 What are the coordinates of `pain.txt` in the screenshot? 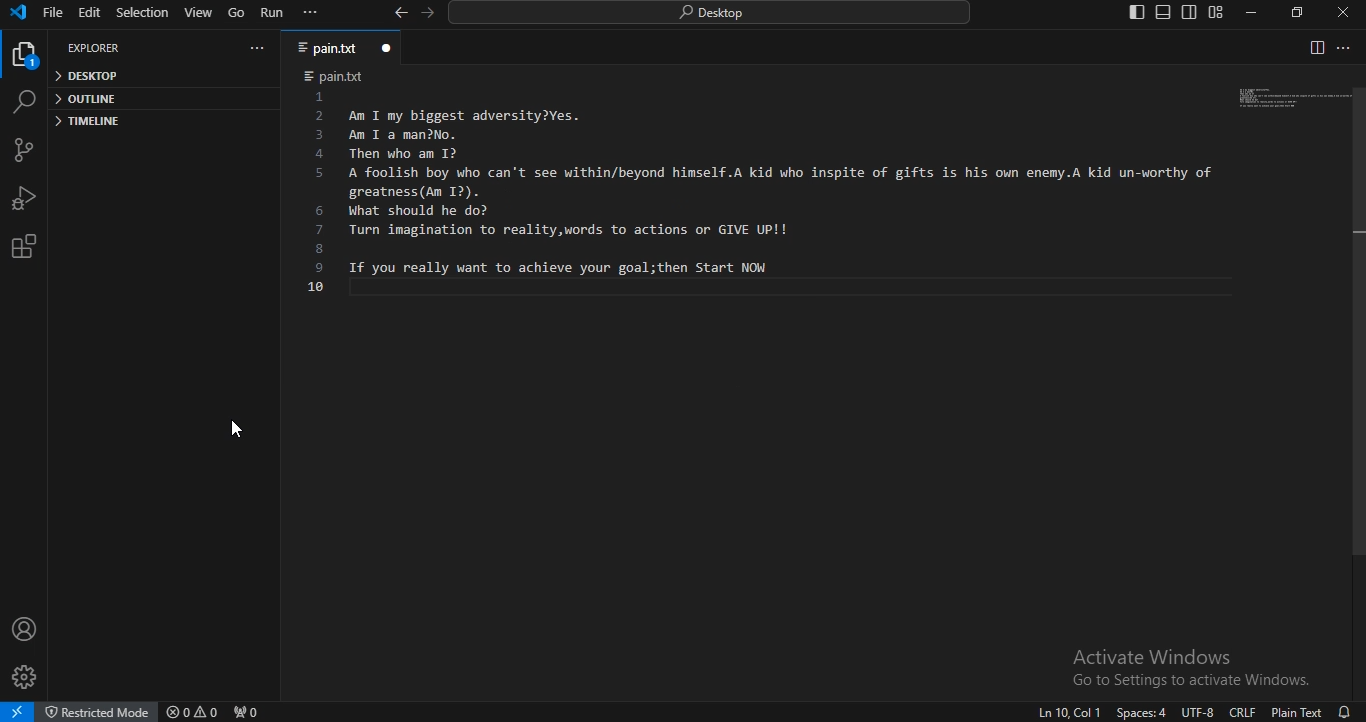 It's located at (341, 48).